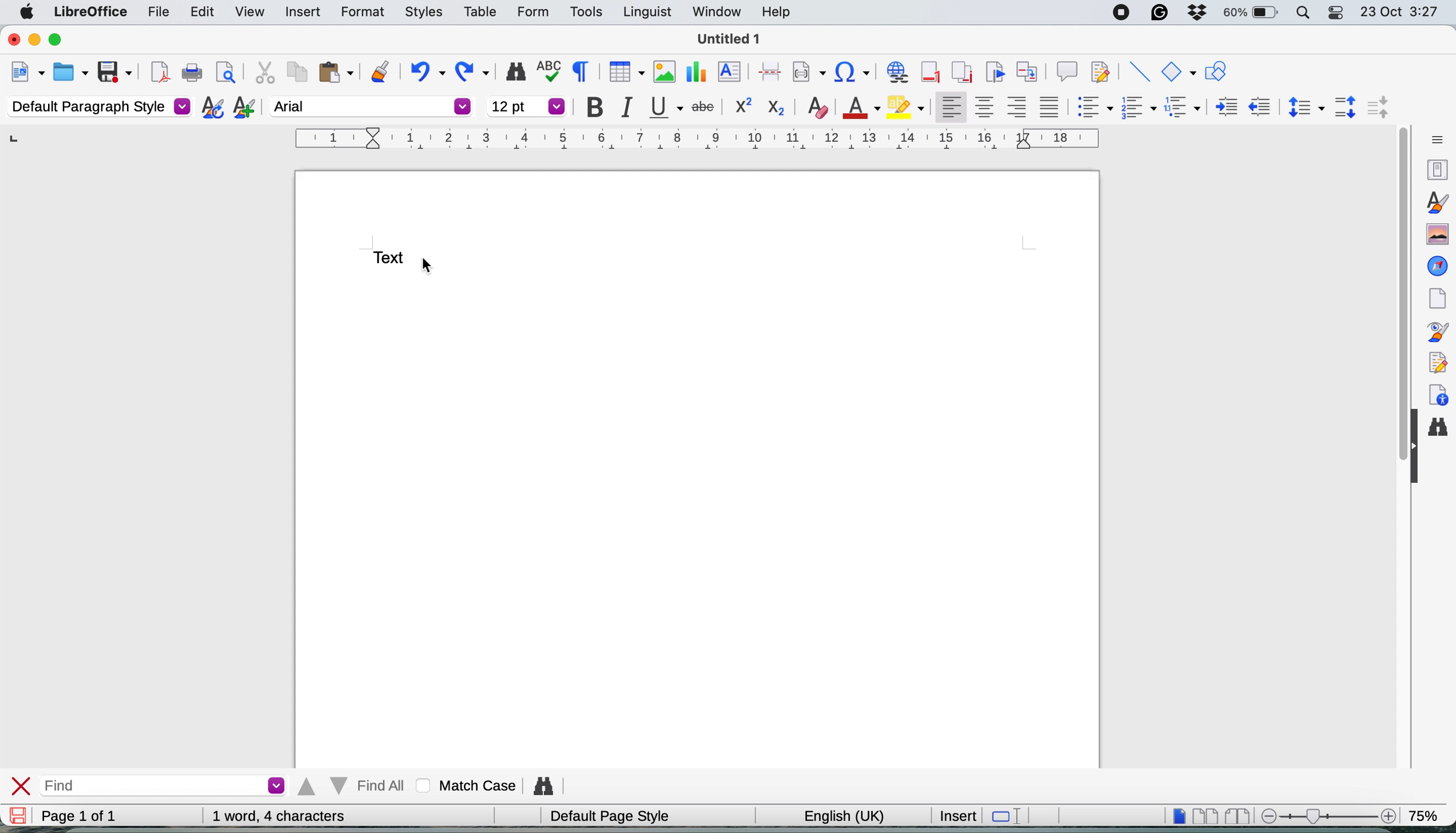 Image resolution: width=1456 pixels, height=833 pixels. What do you see at coordinates (1401, 13) in the screenshot?
I see `date and time` at bounding box center [1401, 13].